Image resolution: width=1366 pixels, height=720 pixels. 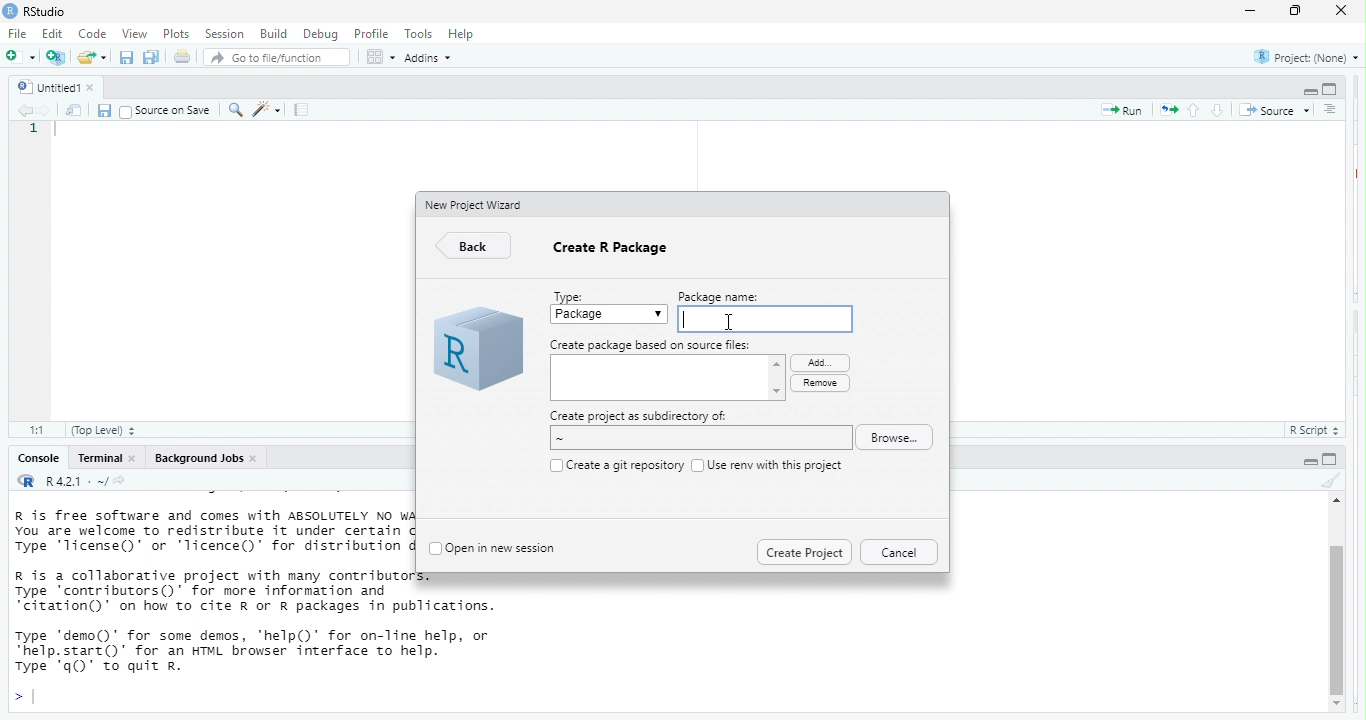 What do you see at coordinates (1328, 481) in the screenshot?
I see `clear console` at bounding box center [1328, 481].